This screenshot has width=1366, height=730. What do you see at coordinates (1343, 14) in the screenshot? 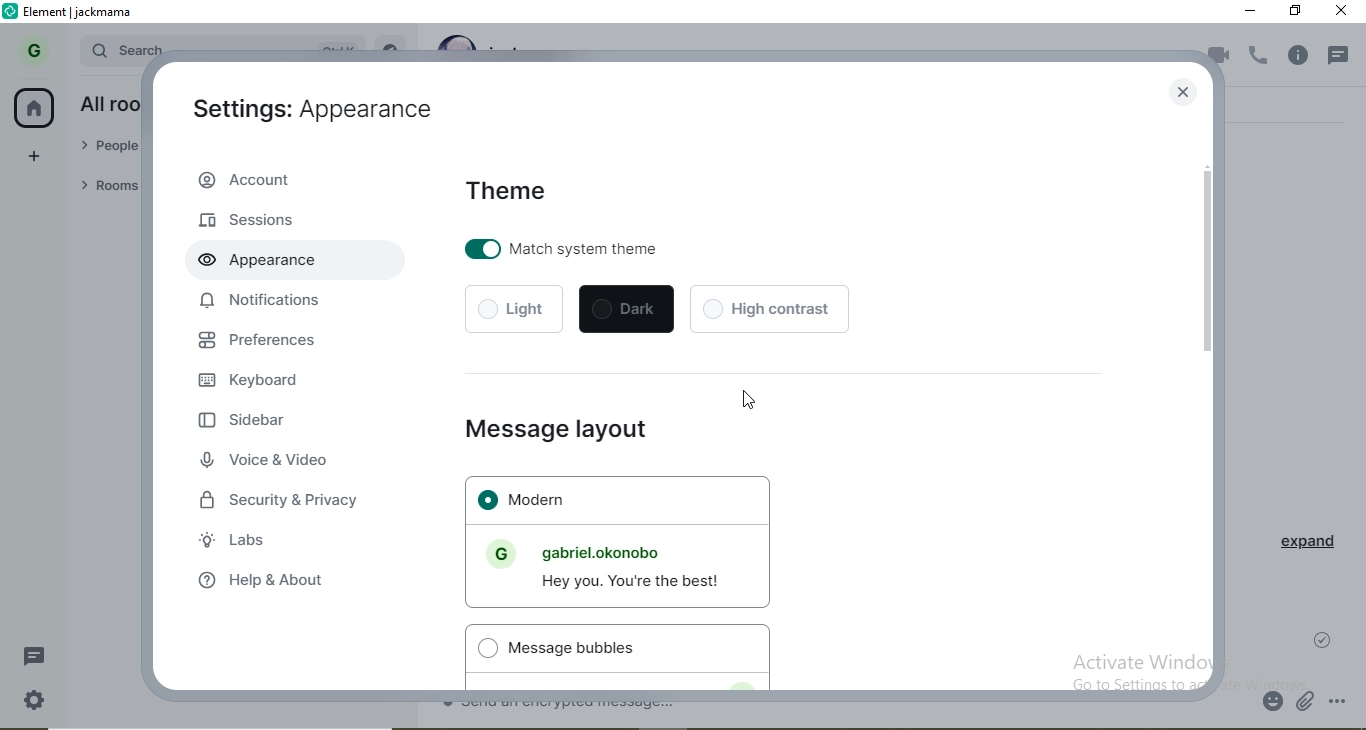
I see `close` at bounding box center [1343, 14].